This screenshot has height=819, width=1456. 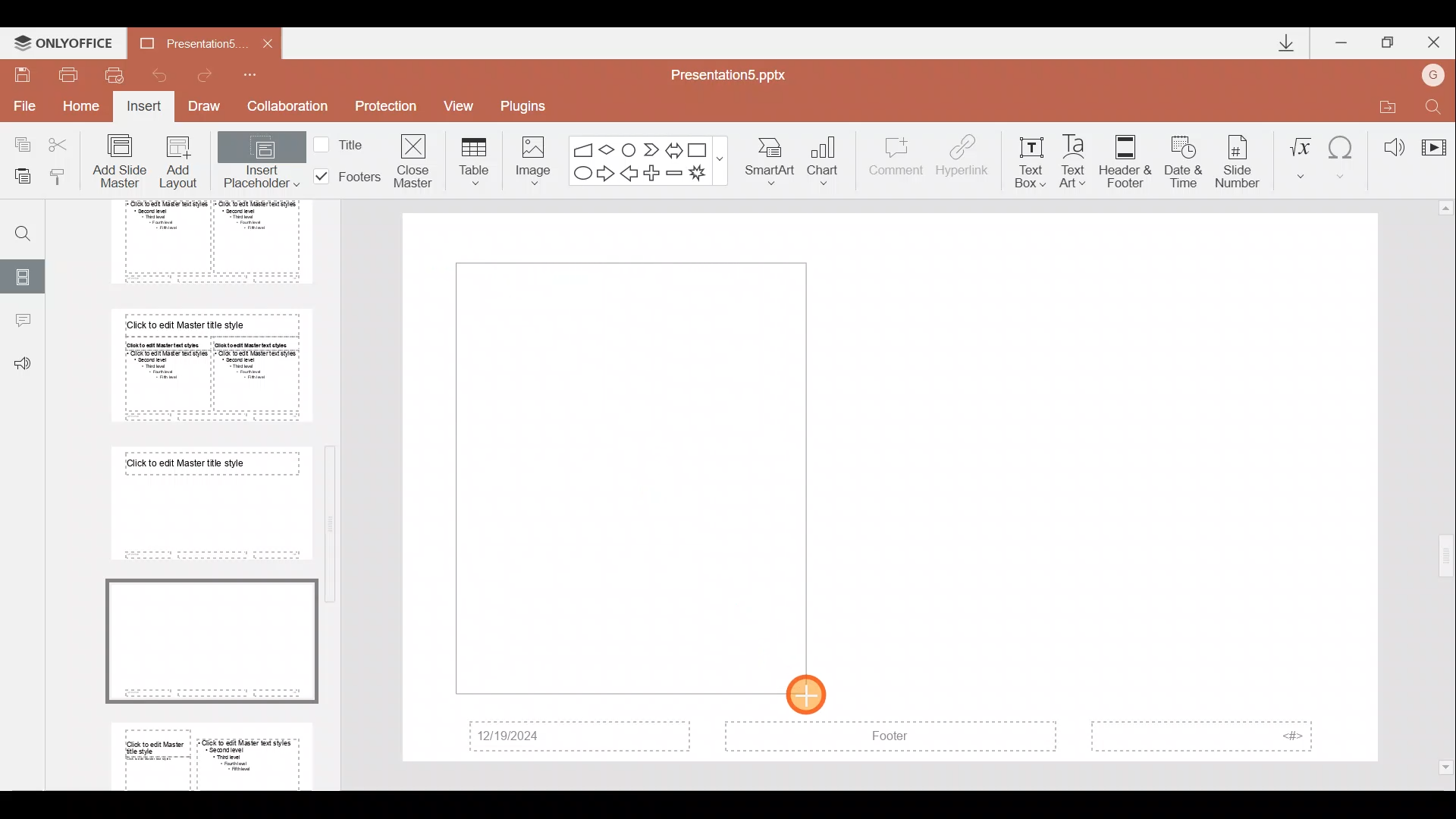 I want to click on Comments, so click(x=22, y=322).